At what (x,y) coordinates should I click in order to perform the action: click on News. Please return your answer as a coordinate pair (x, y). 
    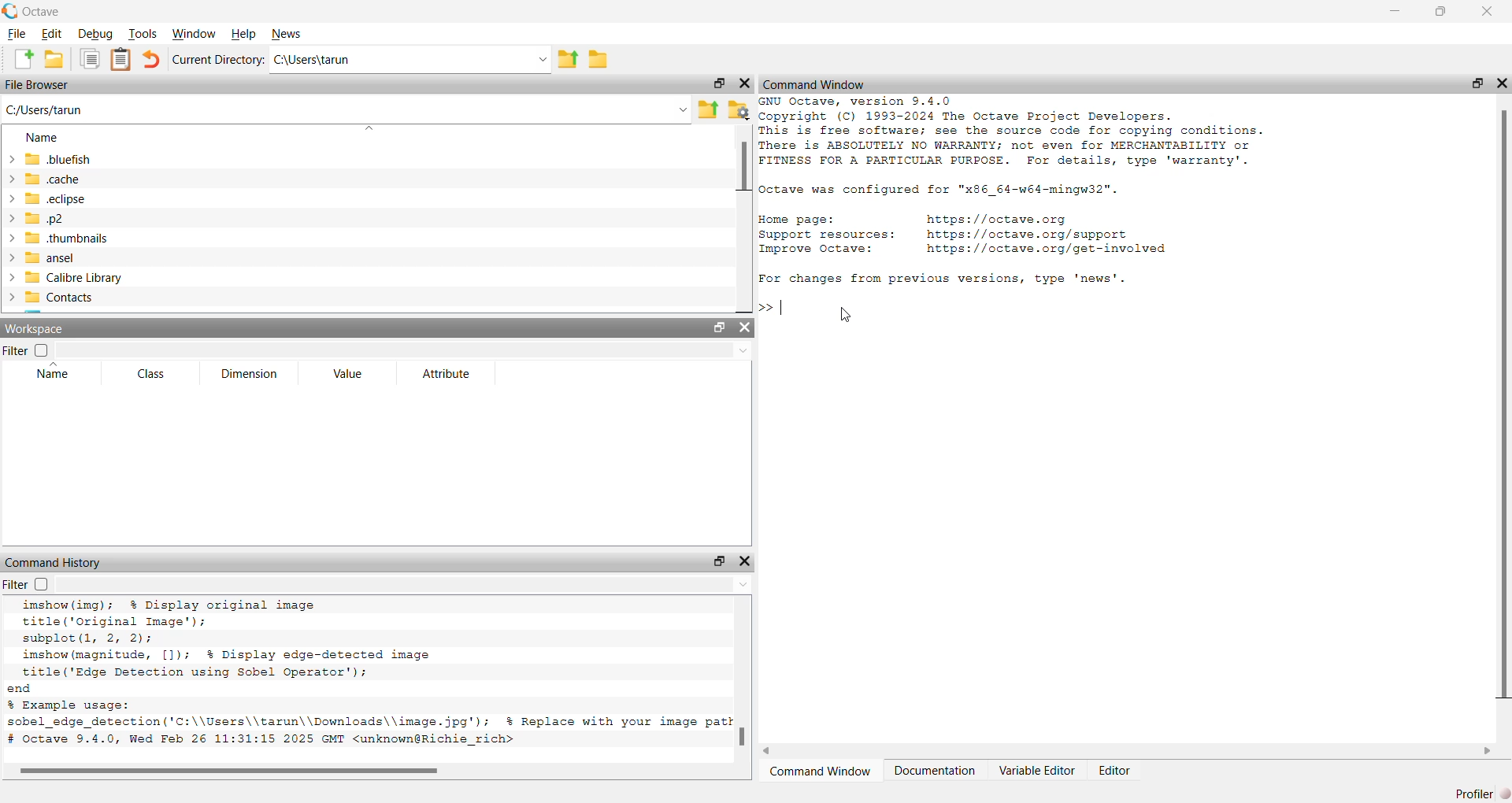
    Looking at the image, I should click on (287, 31).